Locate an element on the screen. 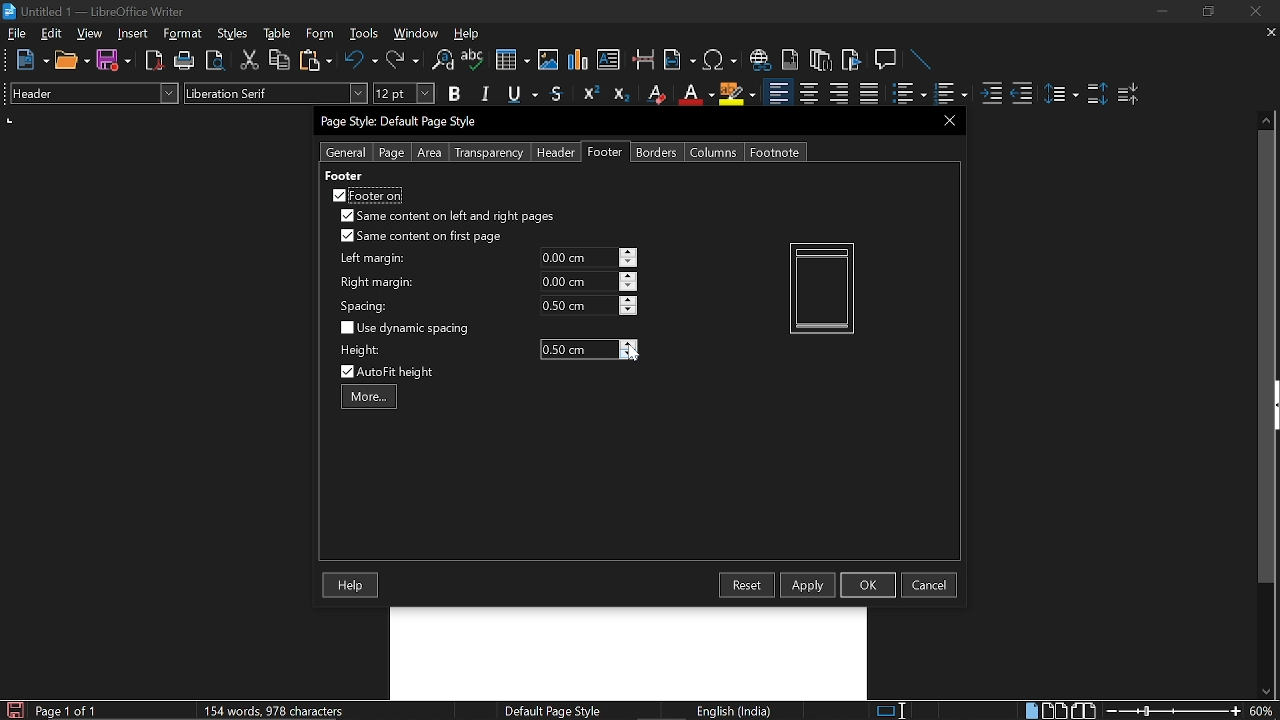 Image resolution: width=1280 pixels, height=720 pixels. Header is located at coordinates (552, 153).